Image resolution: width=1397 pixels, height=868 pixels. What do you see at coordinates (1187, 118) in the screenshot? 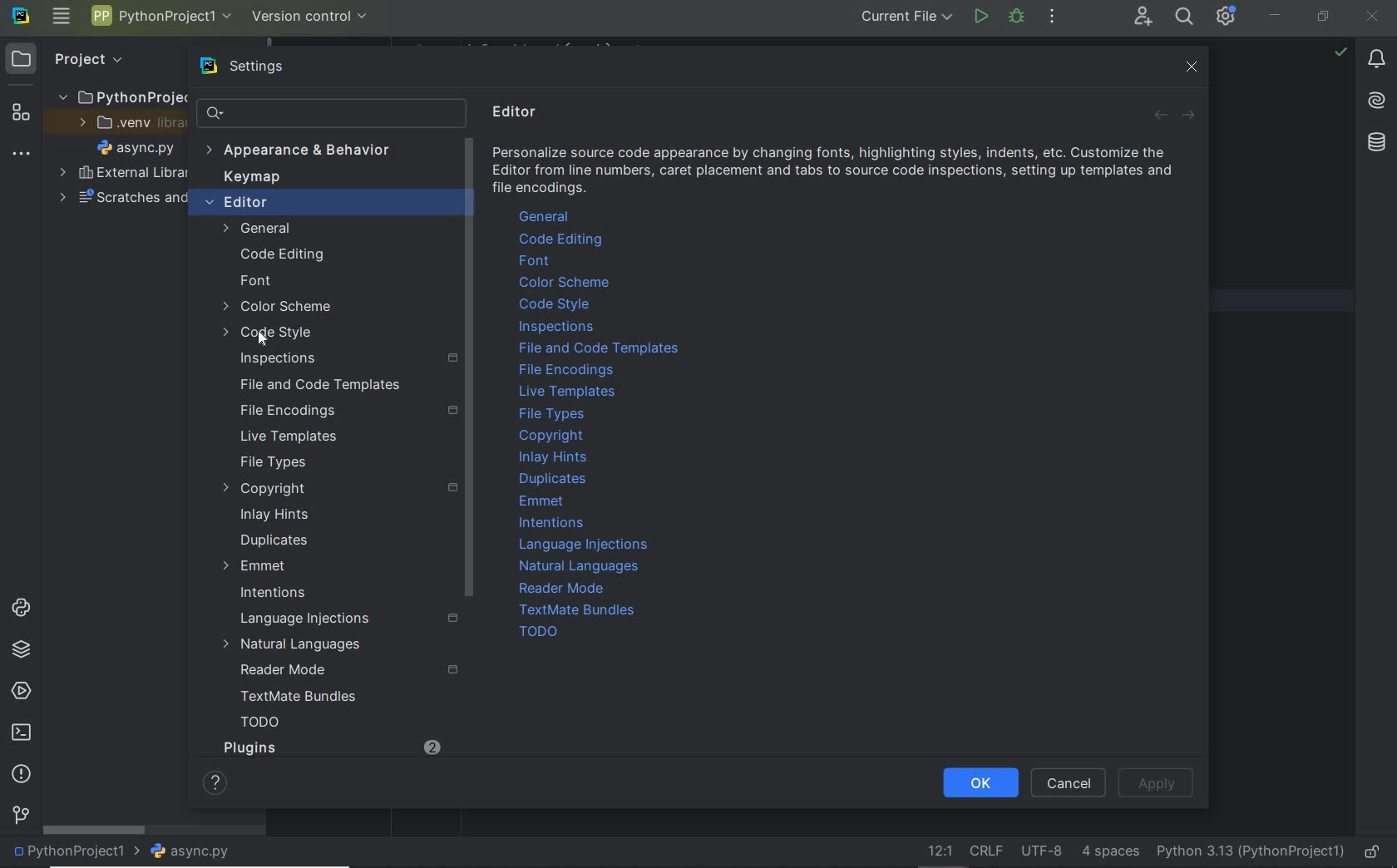
I see `Next` at bounding box center [1187, 118].